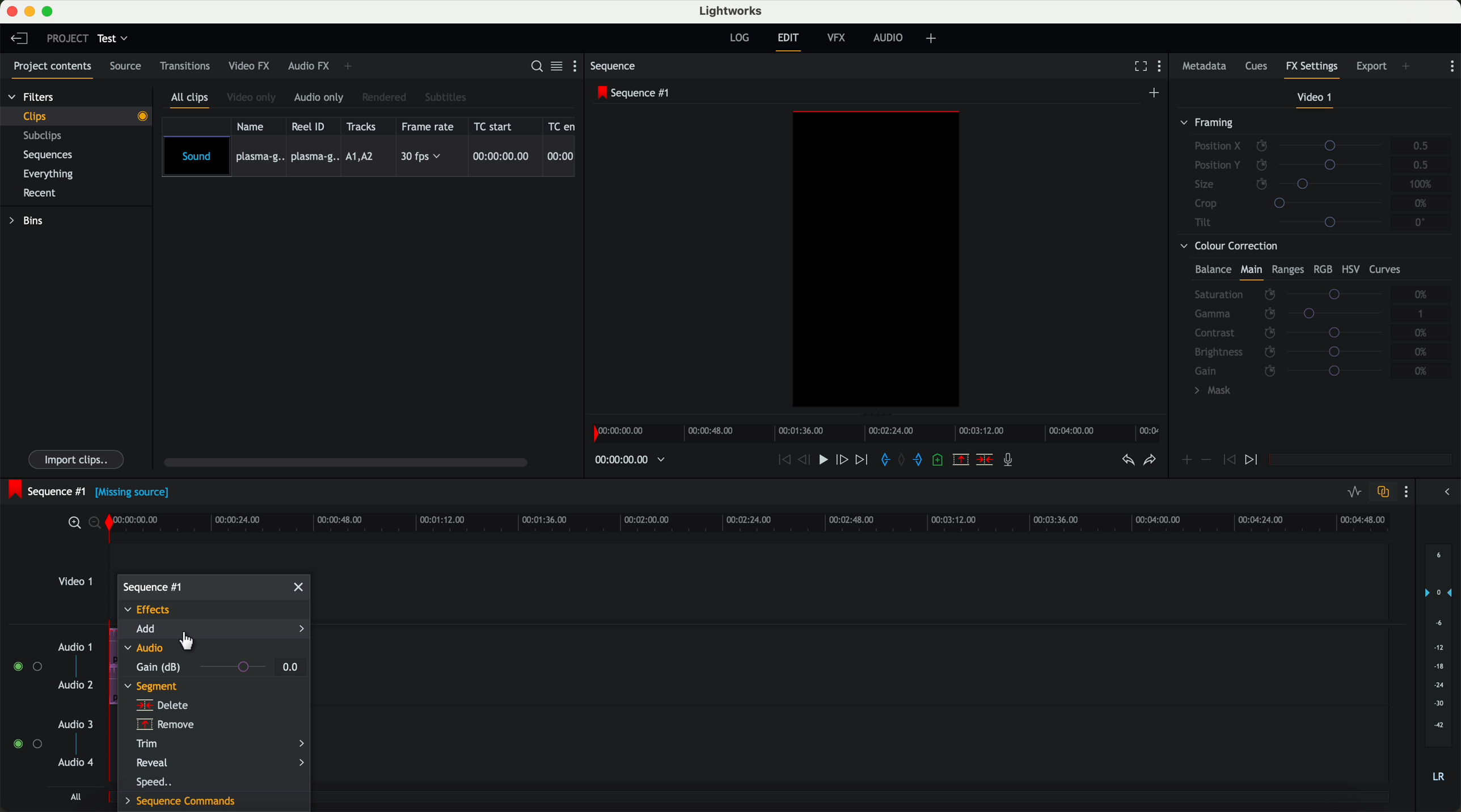  What do you see at coordinates (1407, 66) in the screenshot?
I see `add` at bounding box center [1407, 66].